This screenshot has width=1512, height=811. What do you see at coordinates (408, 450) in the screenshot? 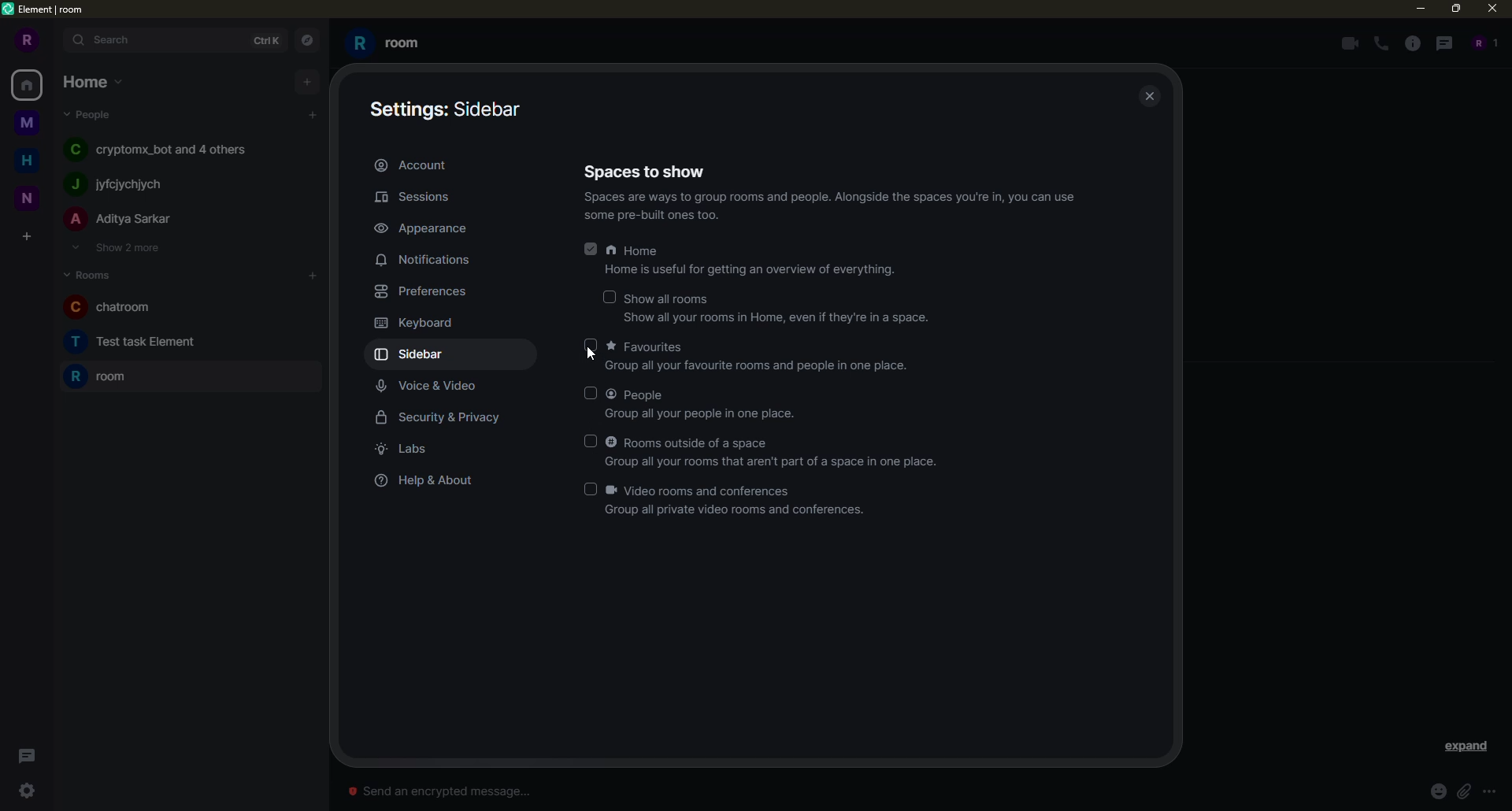
I see `labs` at bounding box center [408, 450].